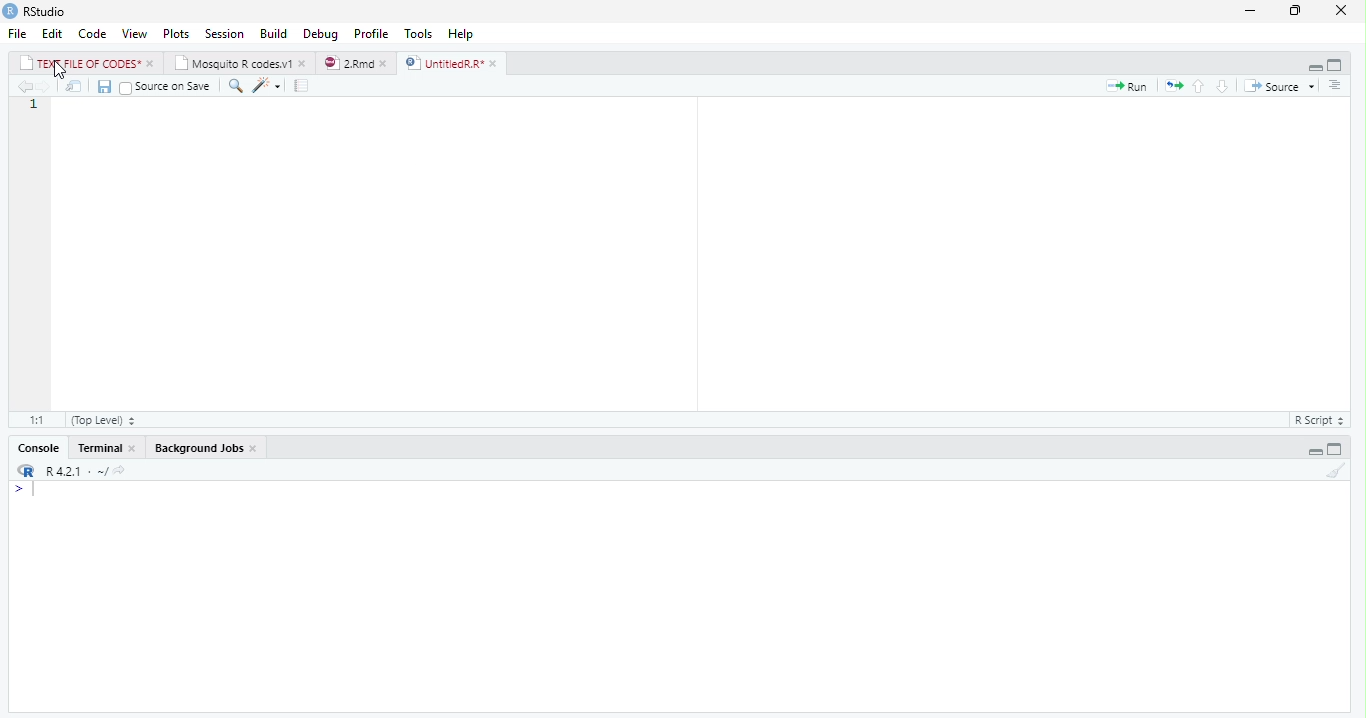 This screenshot has width=1366, height=718. What do you see at coordinates (93, 33) in the screenshot?
I see `Code` at bounding box center [93, 33].